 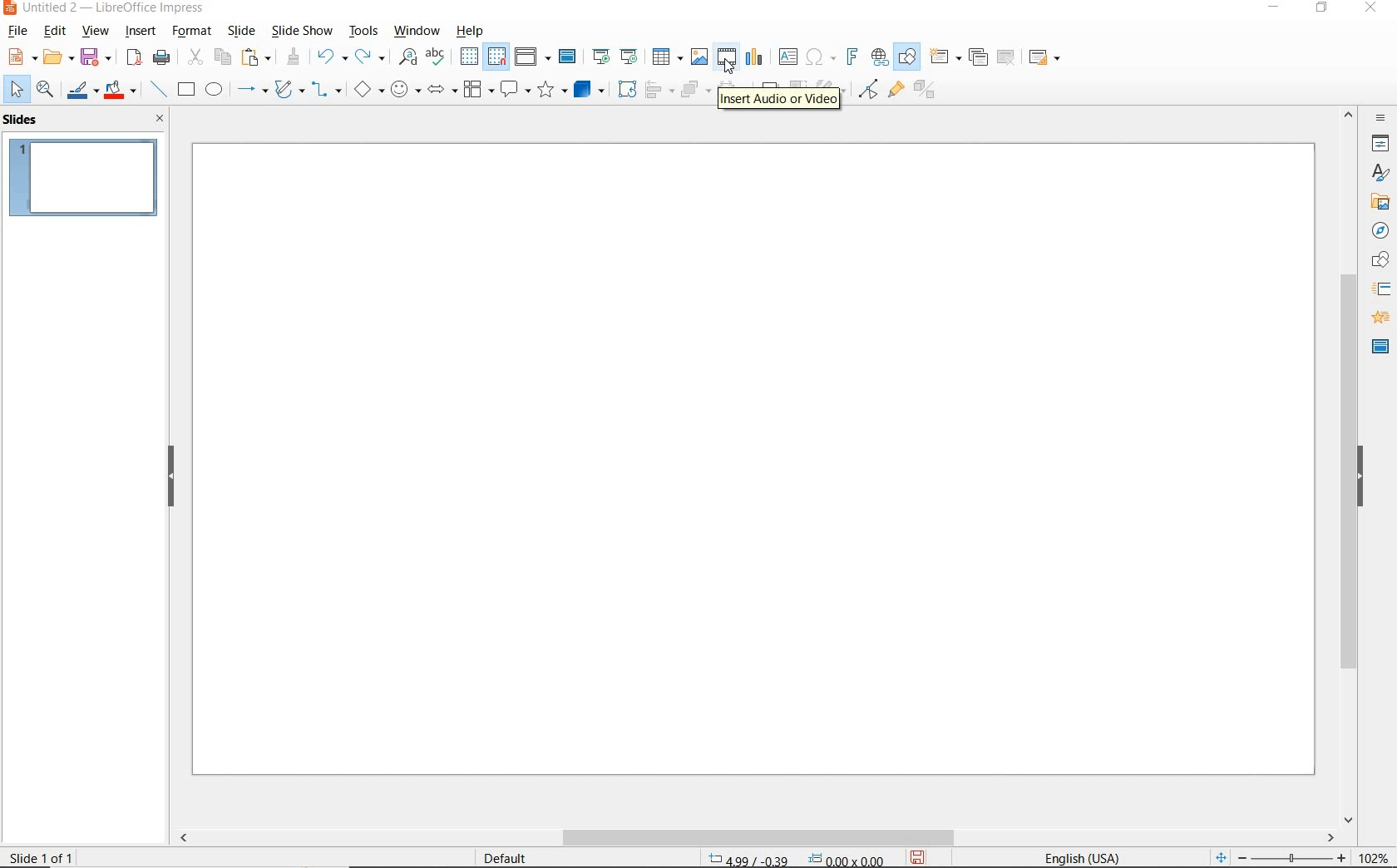 What do you see at coordinates (106, 9) in the screenshot?
I see `FILE NAME` at bounding box center [106, 9].